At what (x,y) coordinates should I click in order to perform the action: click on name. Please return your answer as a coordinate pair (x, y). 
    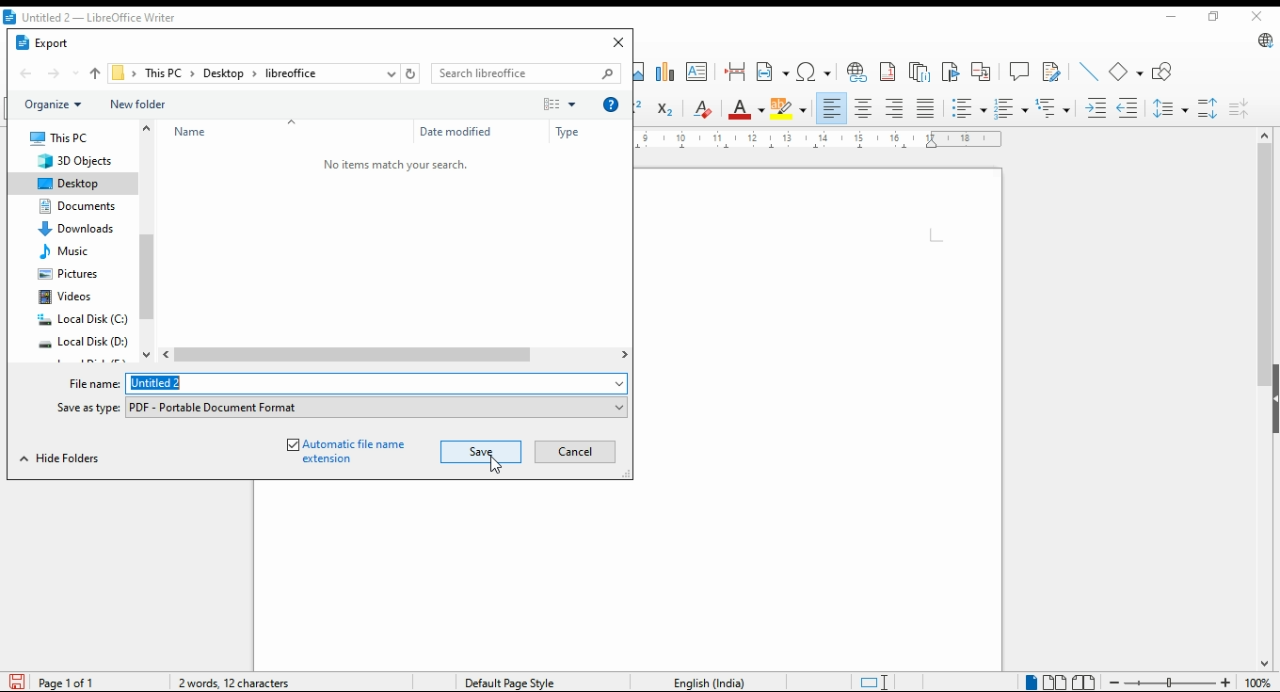
    Looking at the image, I should click on (252, 131).